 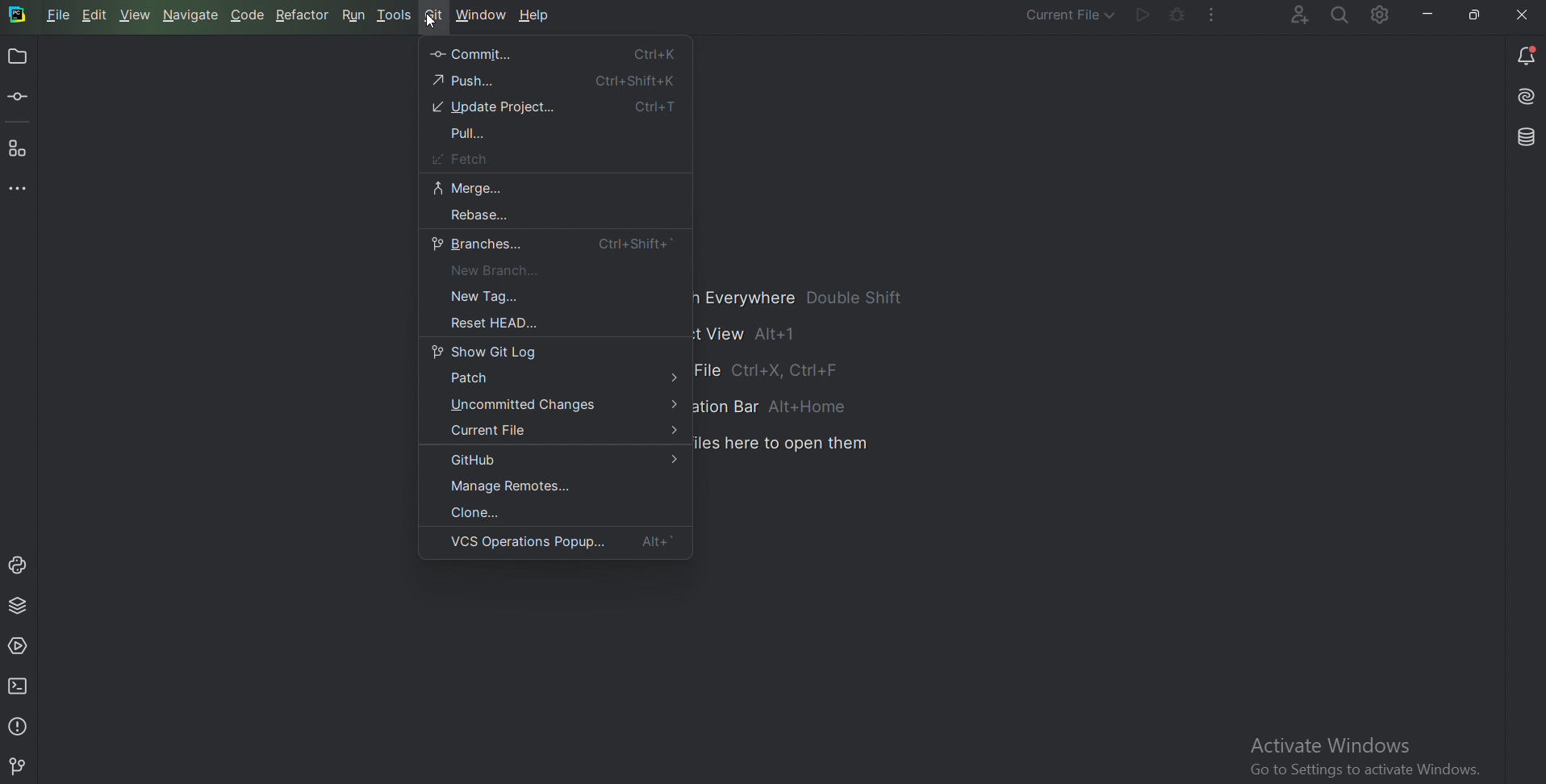 I want to click on VCS Operations Popup, so click(x=564, y=543).